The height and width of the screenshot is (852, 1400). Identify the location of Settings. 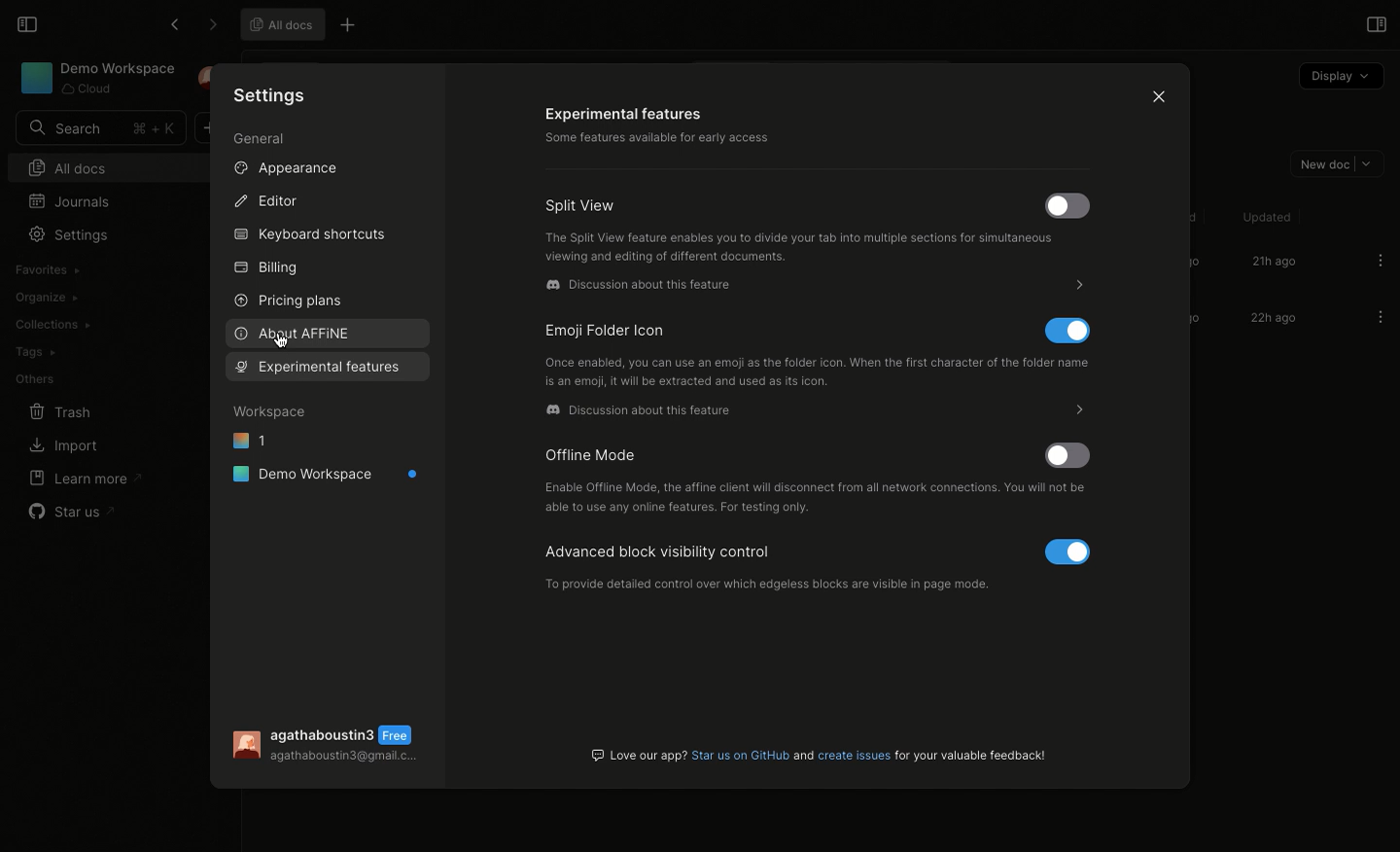
(67, 234).